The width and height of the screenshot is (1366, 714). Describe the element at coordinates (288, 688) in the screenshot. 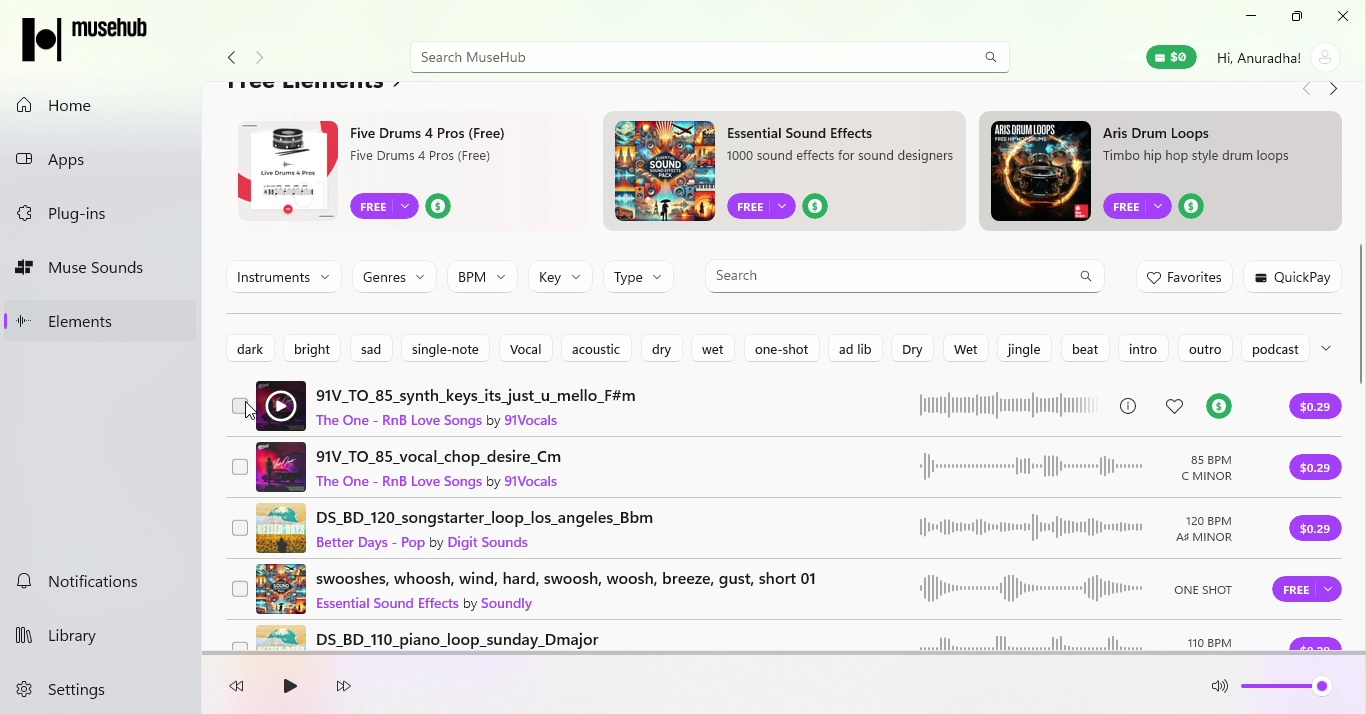

I see `play` at that location.